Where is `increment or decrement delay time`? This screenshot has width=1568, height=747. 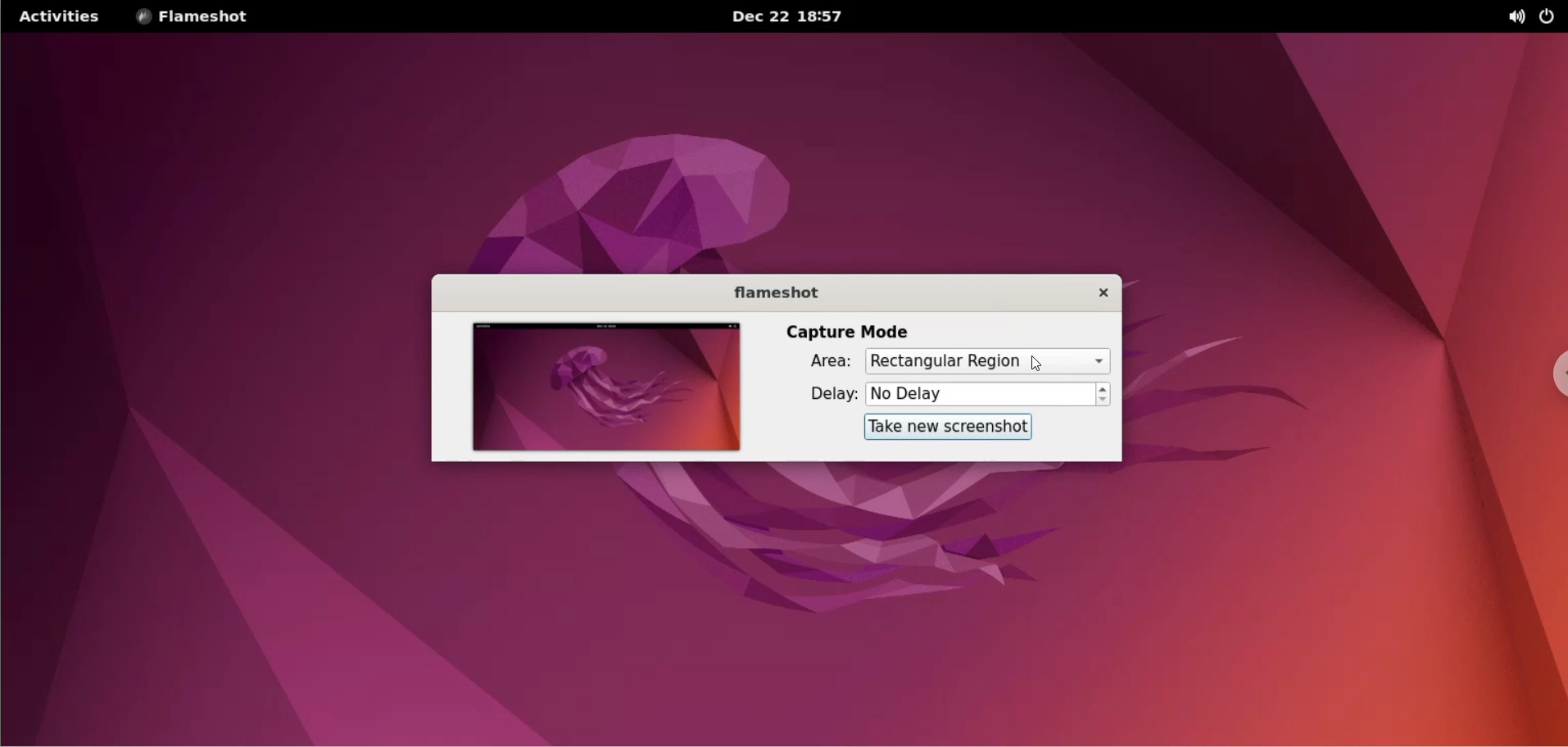 increment or decrement delay time is located at coordinates (1104, 396).